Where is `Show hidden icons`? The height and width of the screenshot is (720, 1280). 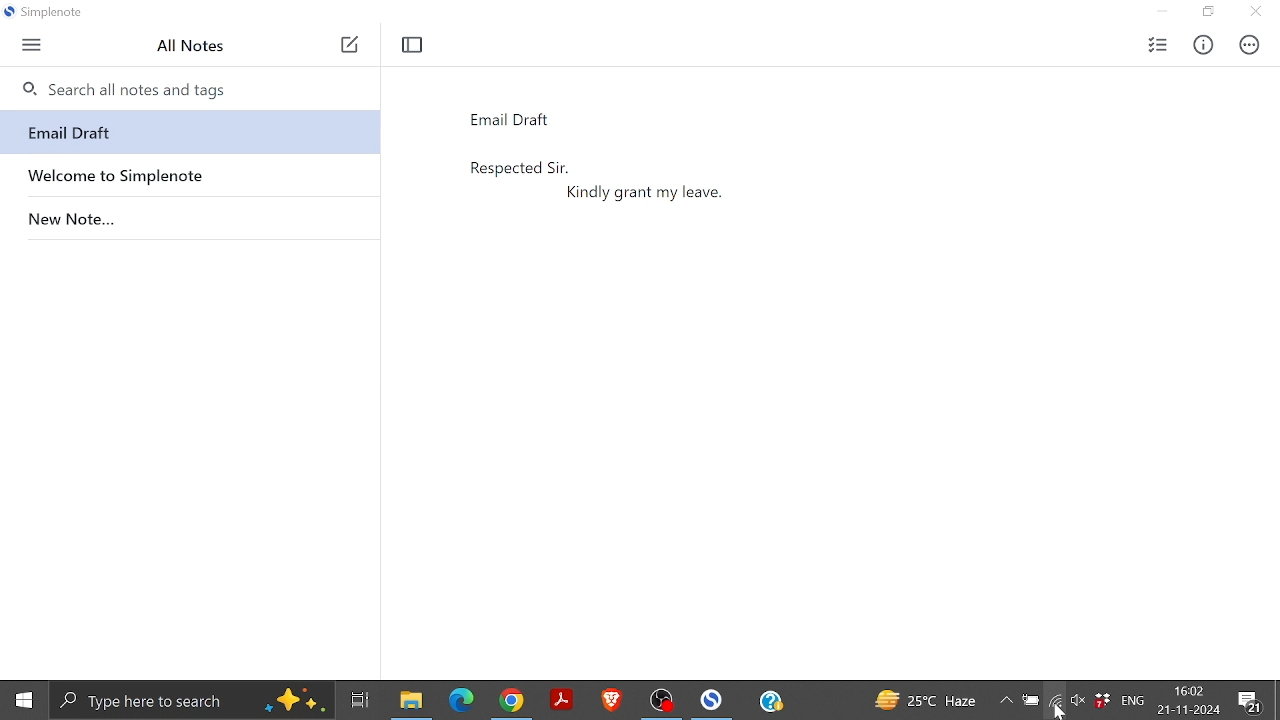
Show hidden icons is located at coordinates (1006, 701).